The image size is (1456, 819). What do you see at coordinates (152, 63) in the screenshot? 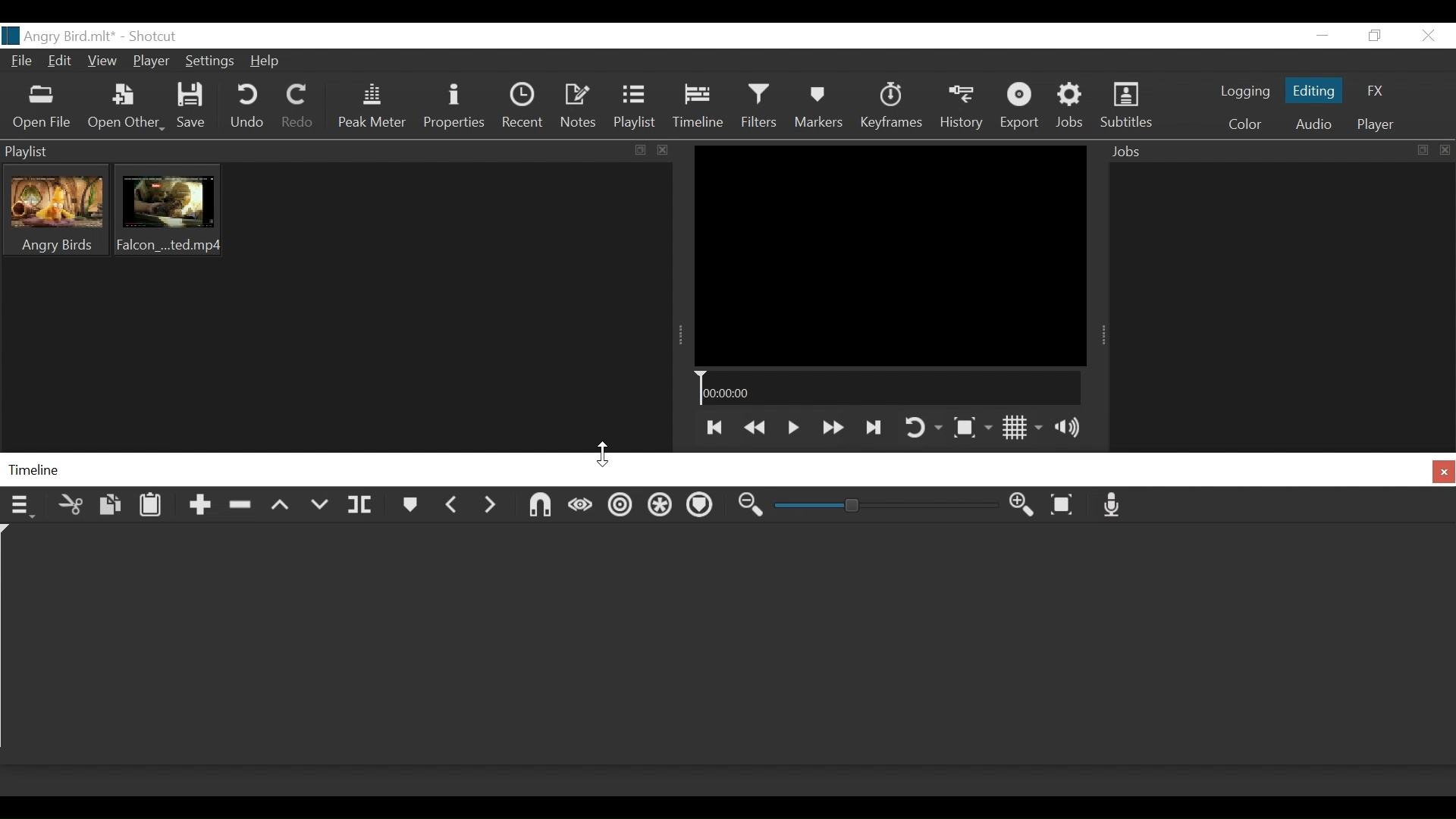
I see `Player` at bounding box center [152, 63].